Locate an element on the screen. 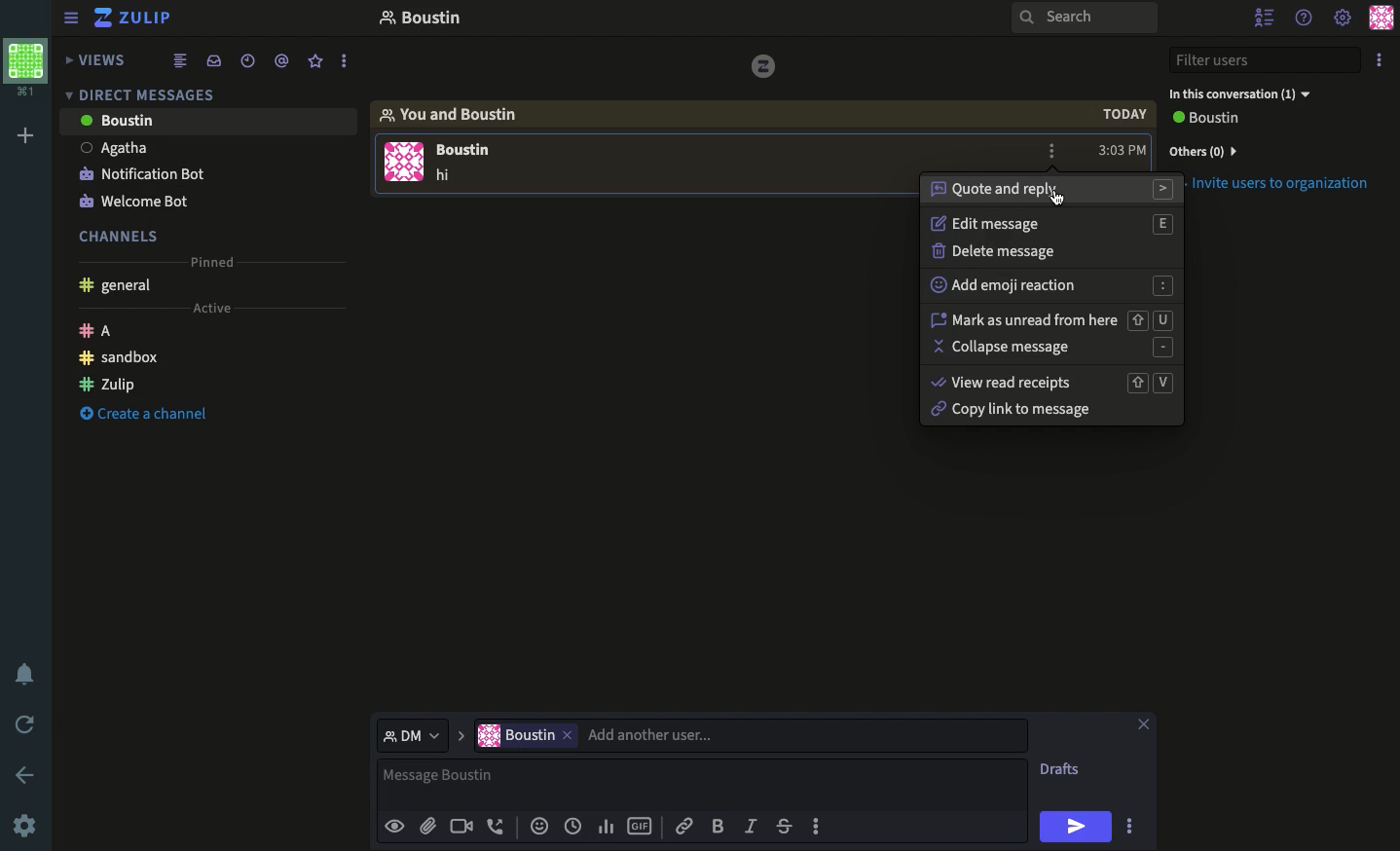 The image size is (1400, 851). Time is located at coordinates (573, 826).